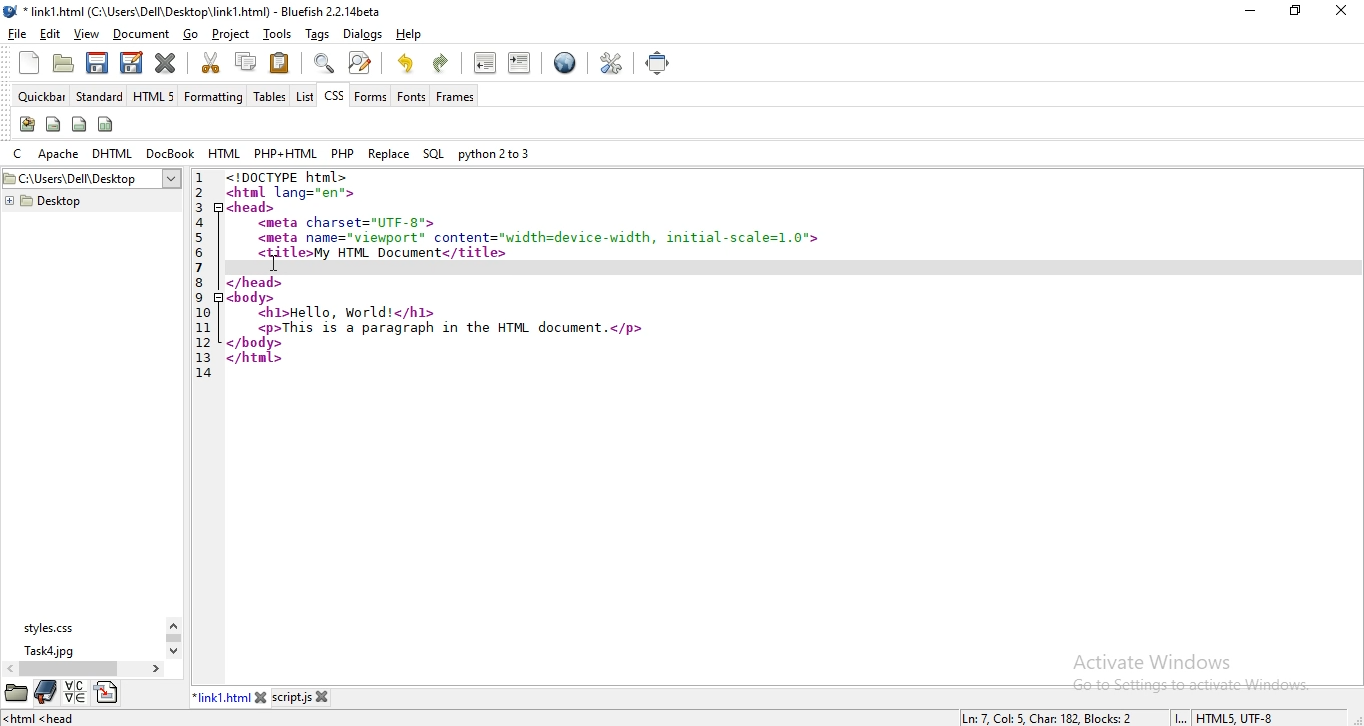  Describe the element at coordinates (173, 638) in the screenshot. I see `scroll bar` at that location.